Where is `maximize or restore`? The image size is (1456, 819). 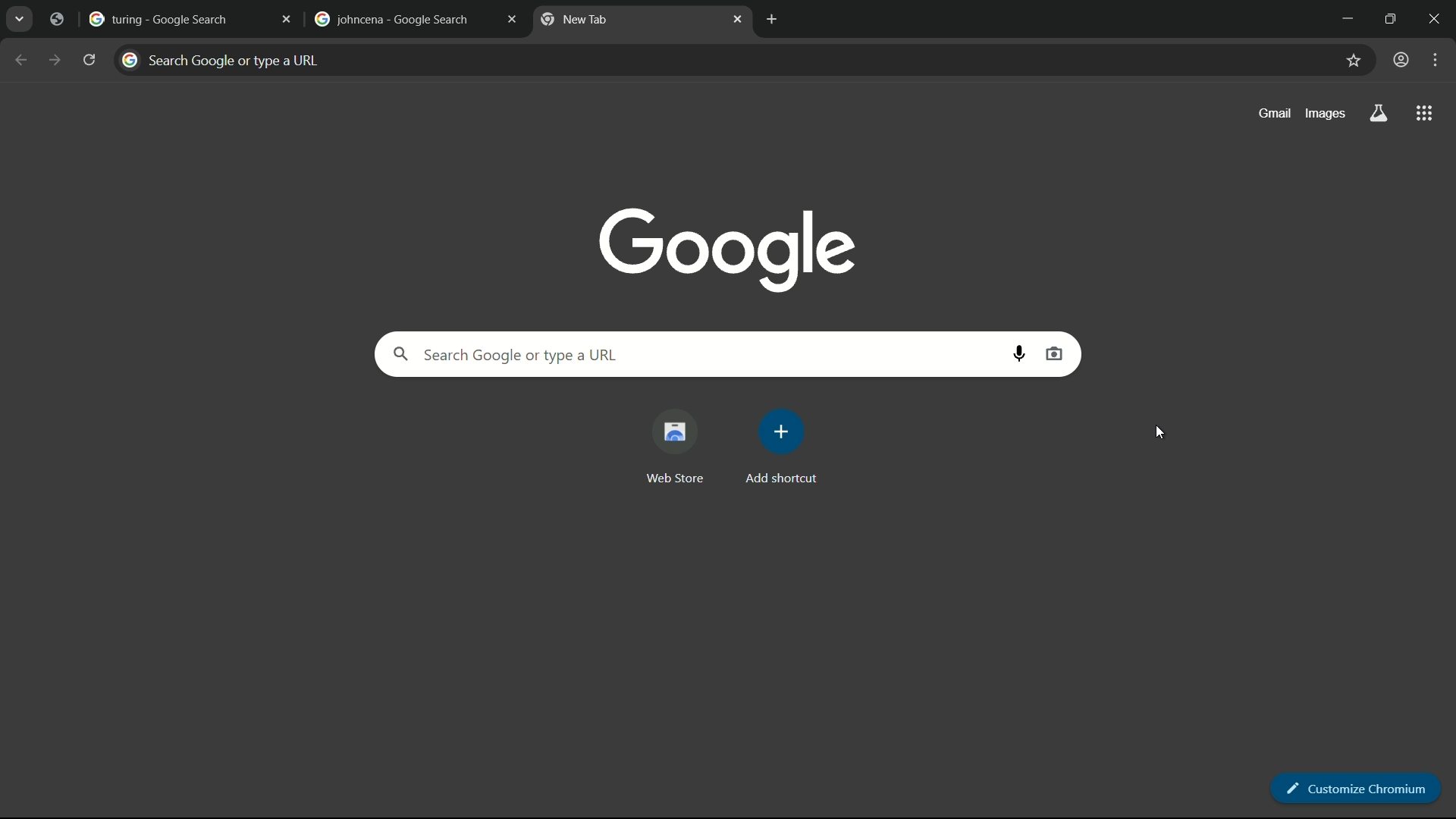
maximize or restore is located at coordinates (1395, 17).